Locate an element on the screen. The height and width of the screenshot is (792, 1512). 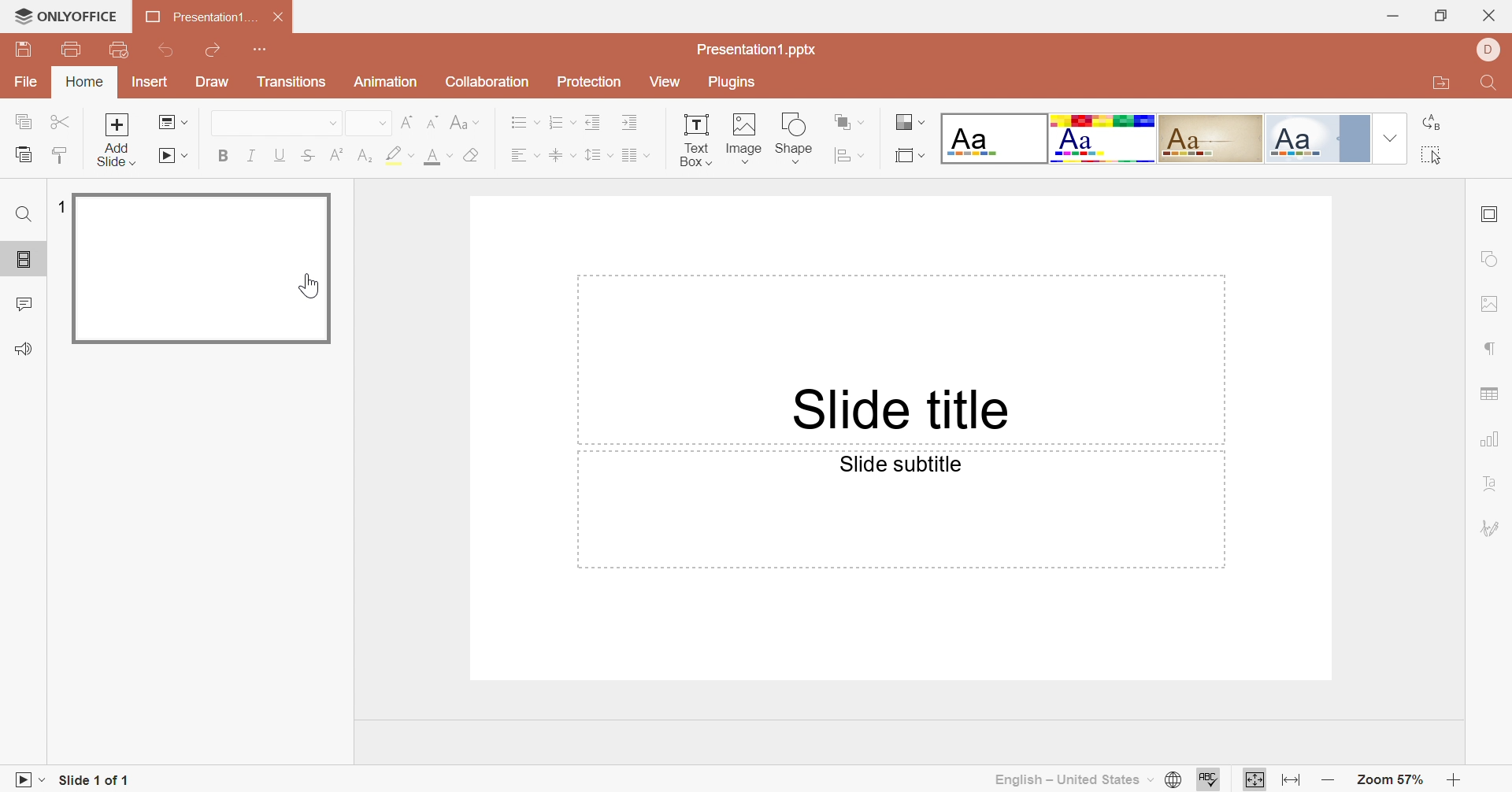
Transitions is located at coordinates (291, 81).